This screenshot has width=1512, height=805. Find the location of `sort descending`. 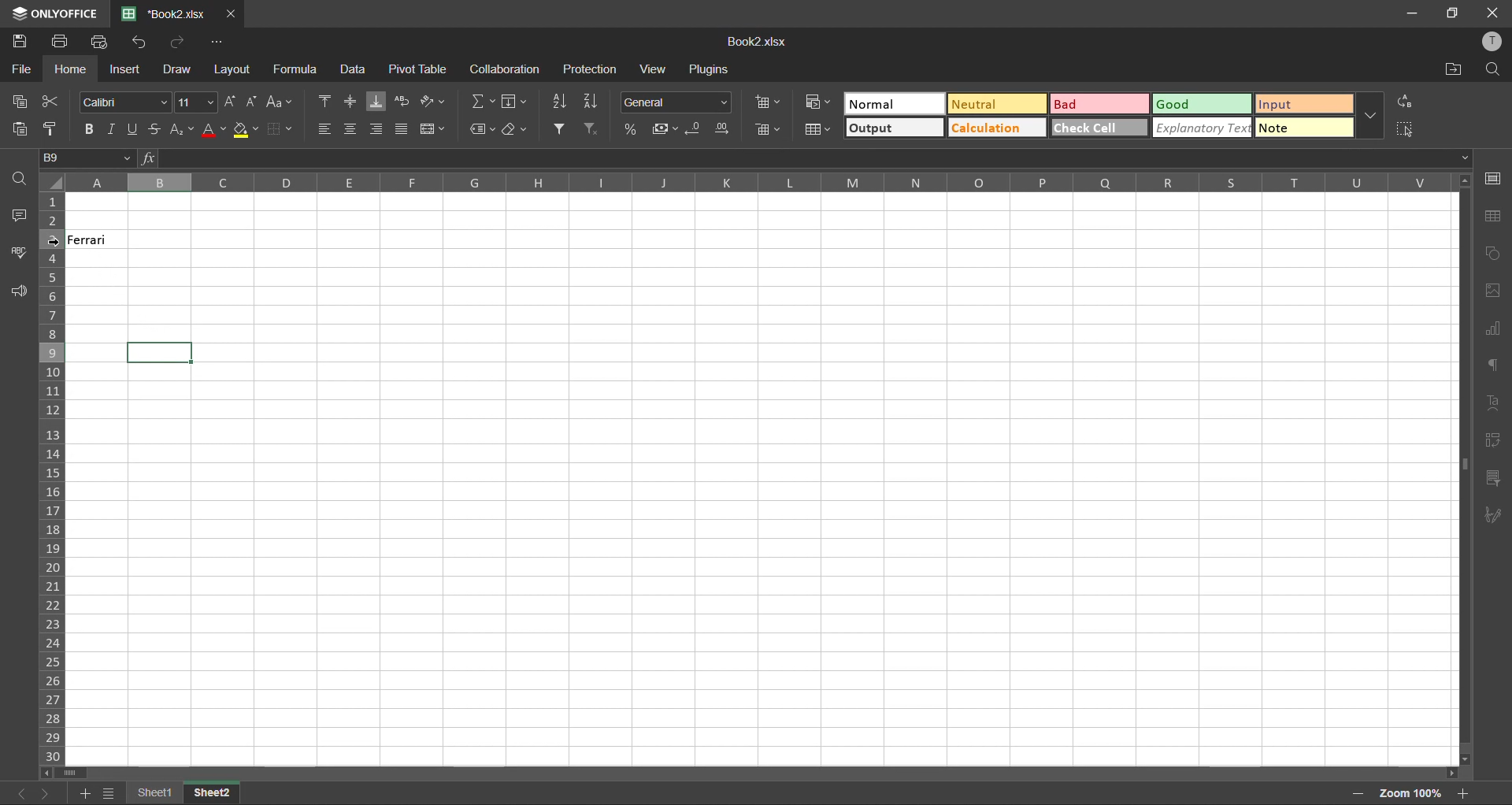

sort descending is located at coordinates (595, 101).